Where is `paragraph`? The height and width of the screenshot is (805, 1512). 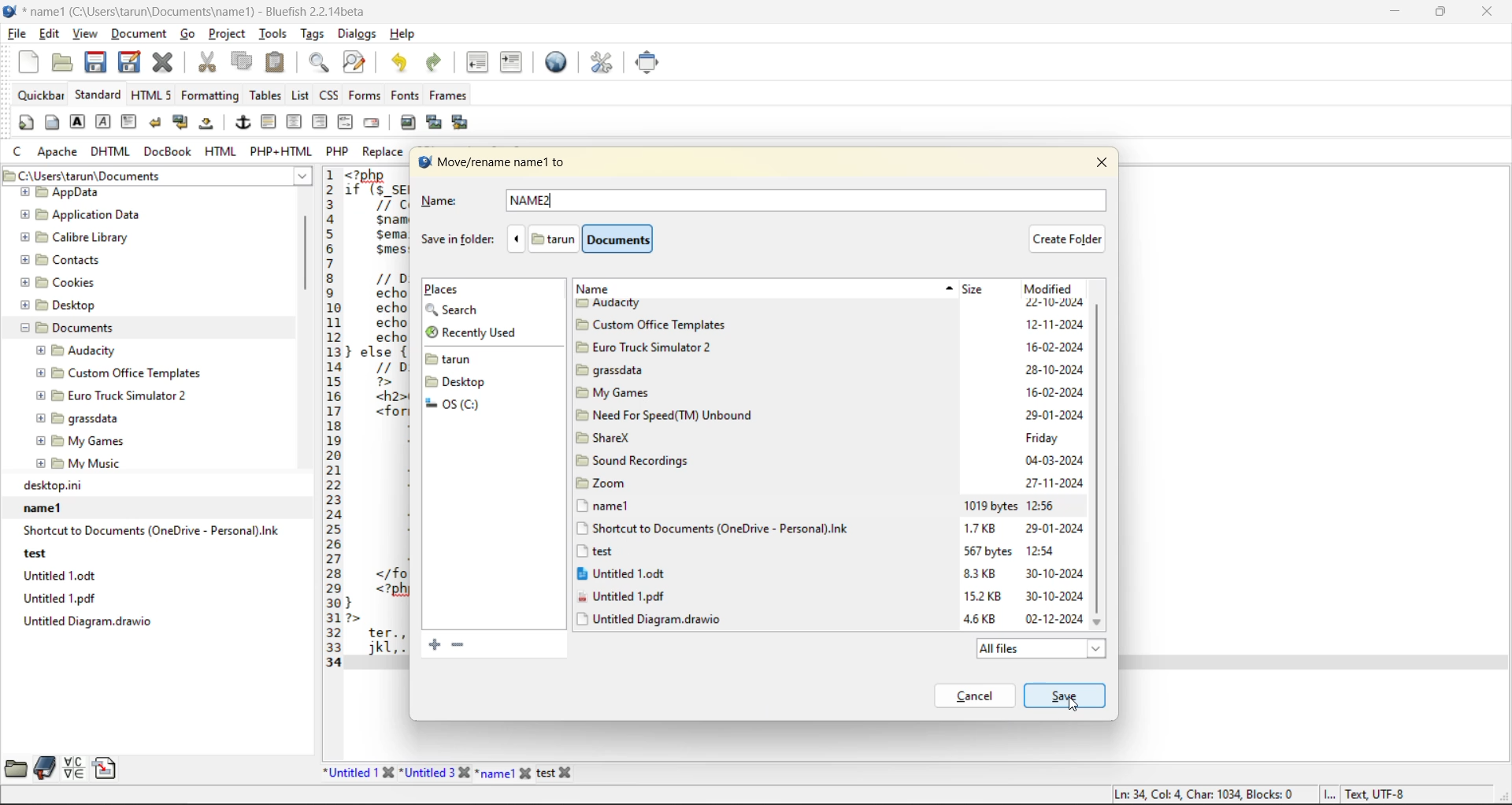
paragraph is located at coordinates (131, 121).